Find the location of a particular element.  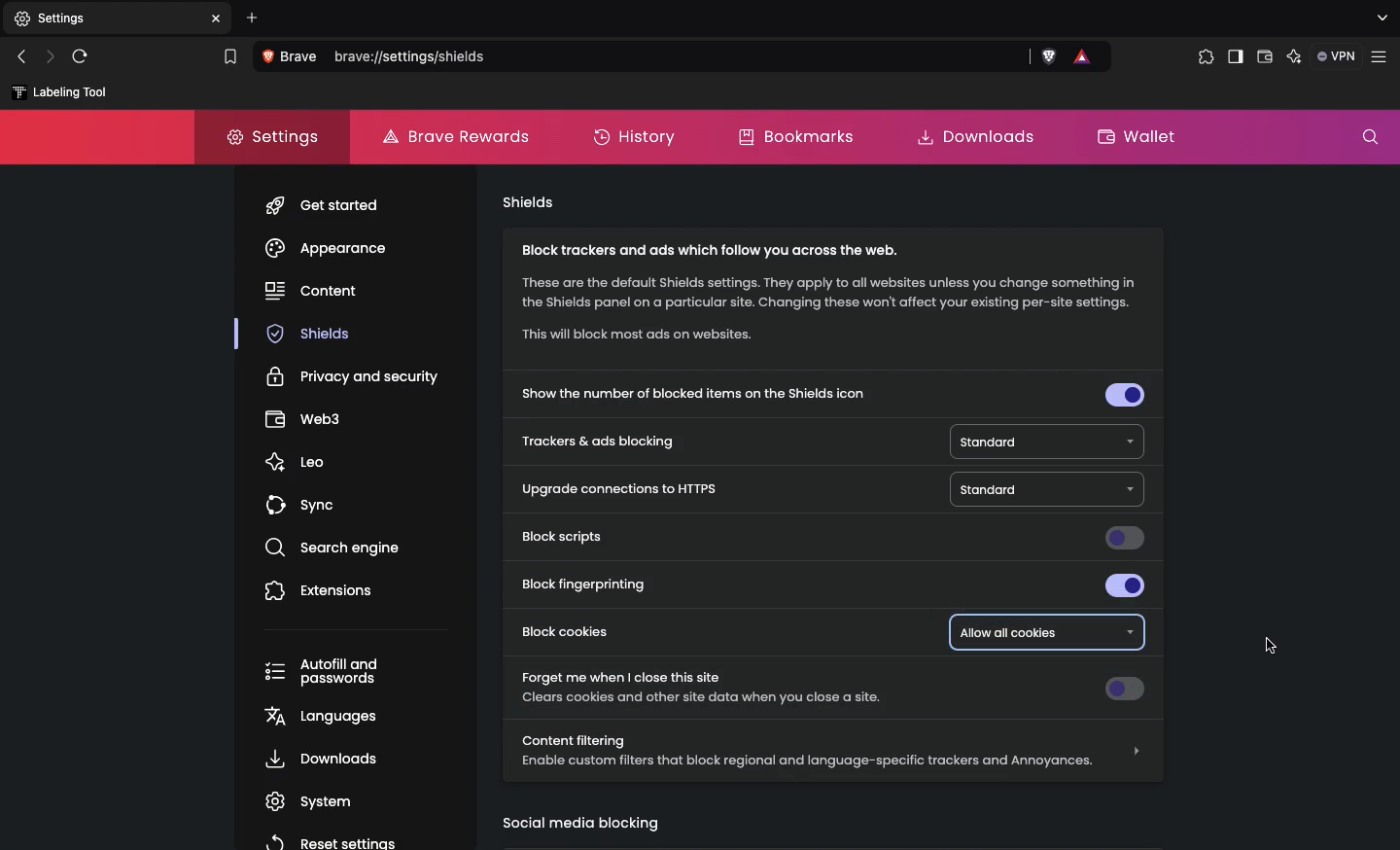

Standard is located at coordinates (1042, 441).